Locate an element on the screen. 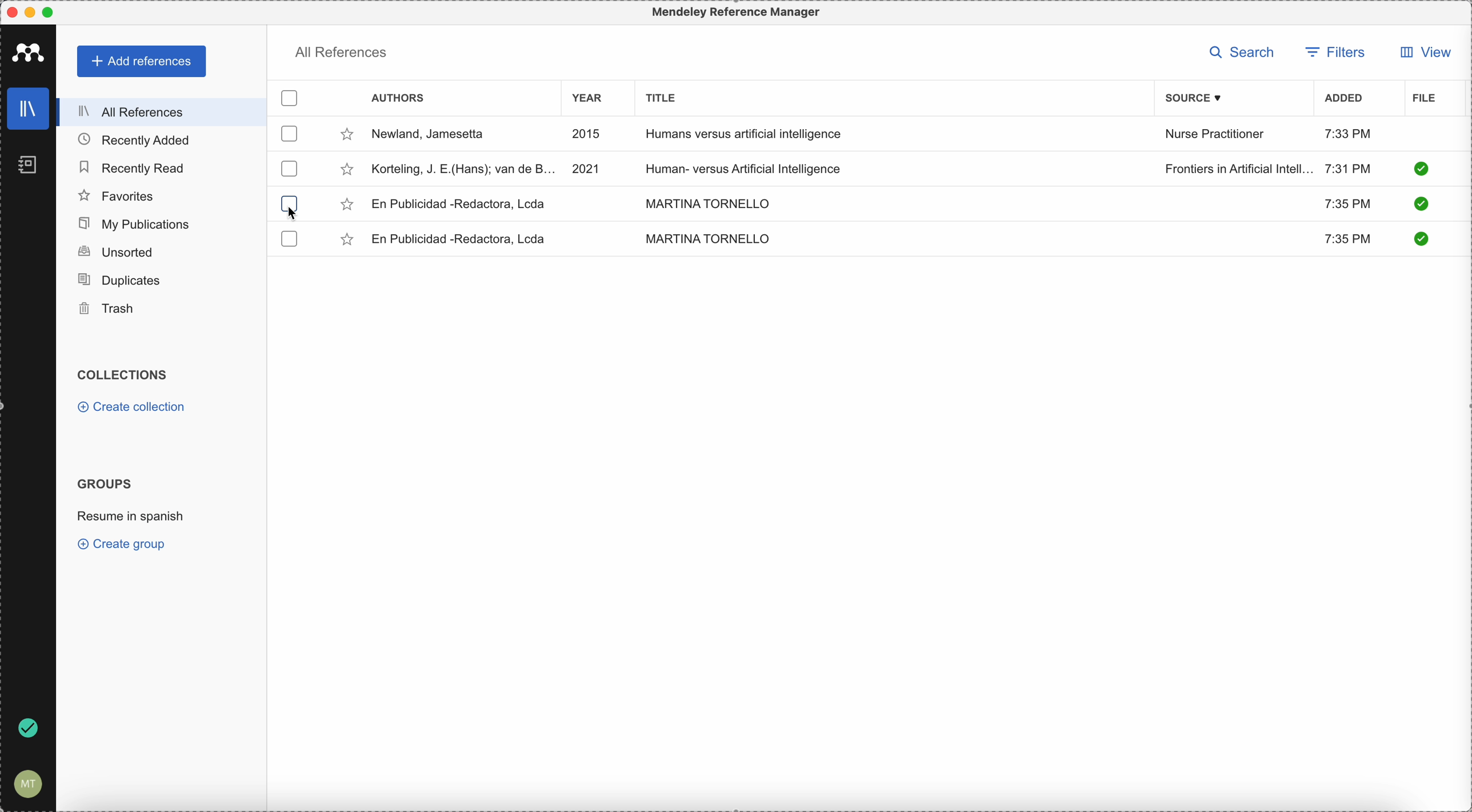  file is located at coordinates (1424, 99).